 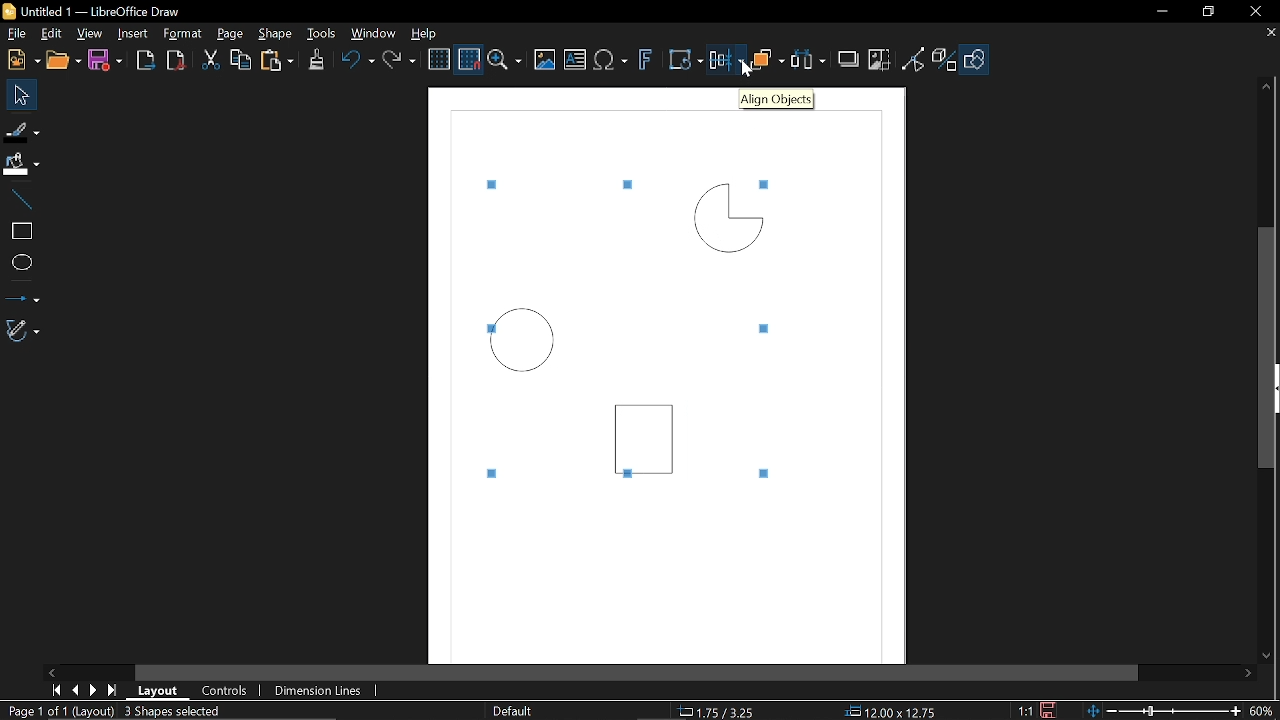 I want to click on Redo, so click(x=402, y=61).